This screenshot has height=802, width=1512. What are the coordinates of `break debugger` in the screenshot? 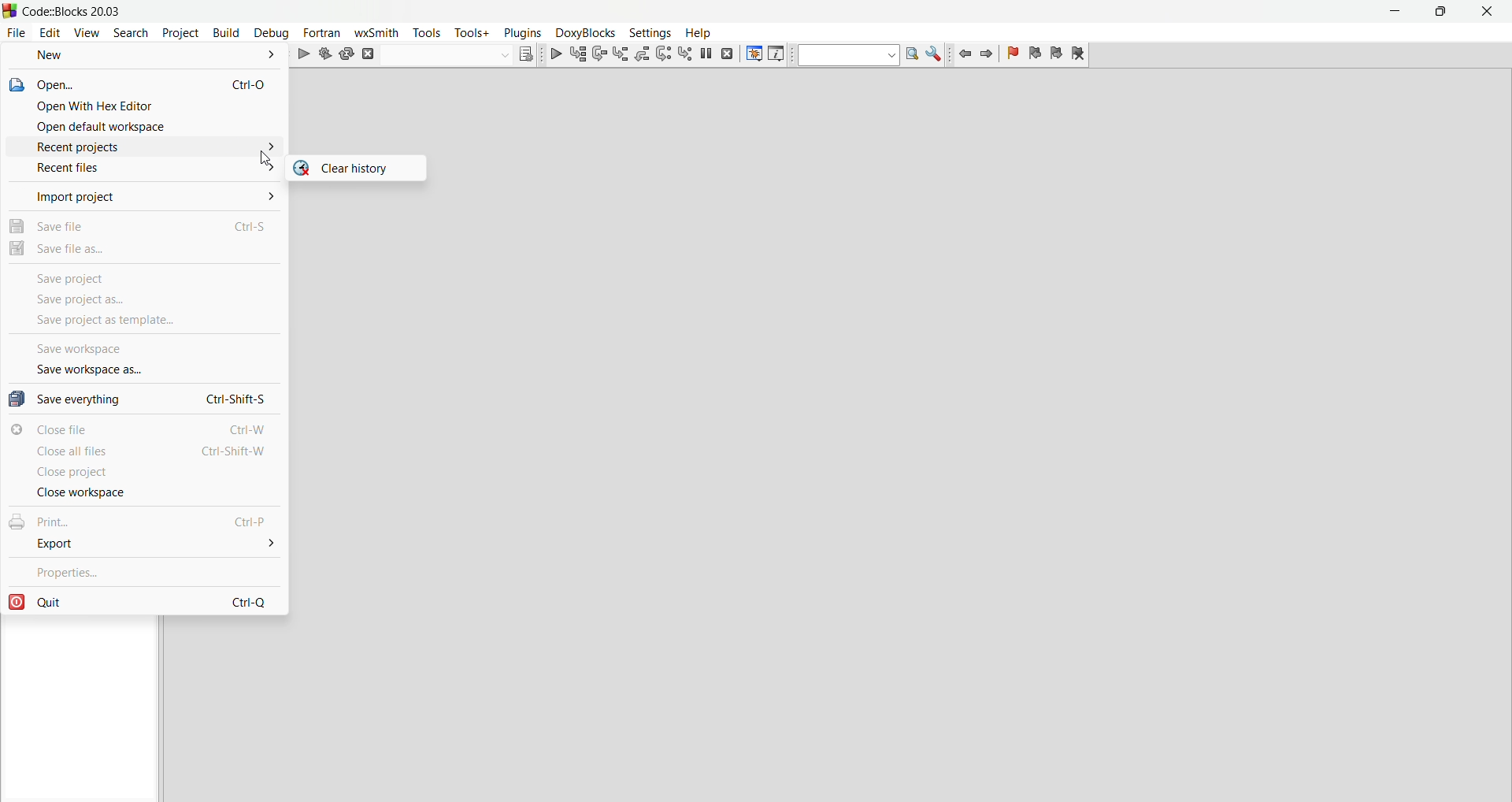 It's located at (705, 54).